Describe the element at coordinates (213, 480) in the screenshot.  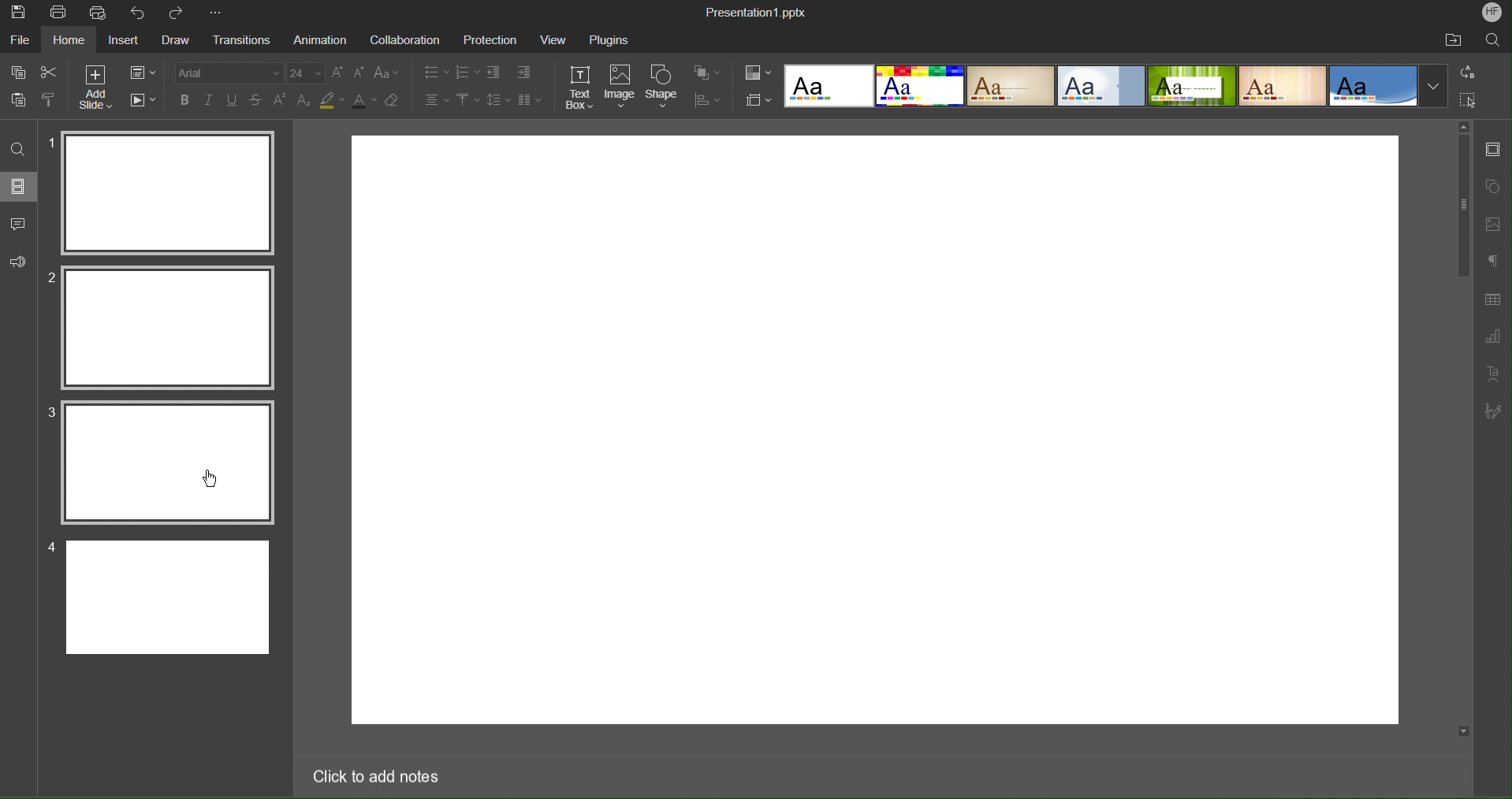
I see `Cursor` at that location.